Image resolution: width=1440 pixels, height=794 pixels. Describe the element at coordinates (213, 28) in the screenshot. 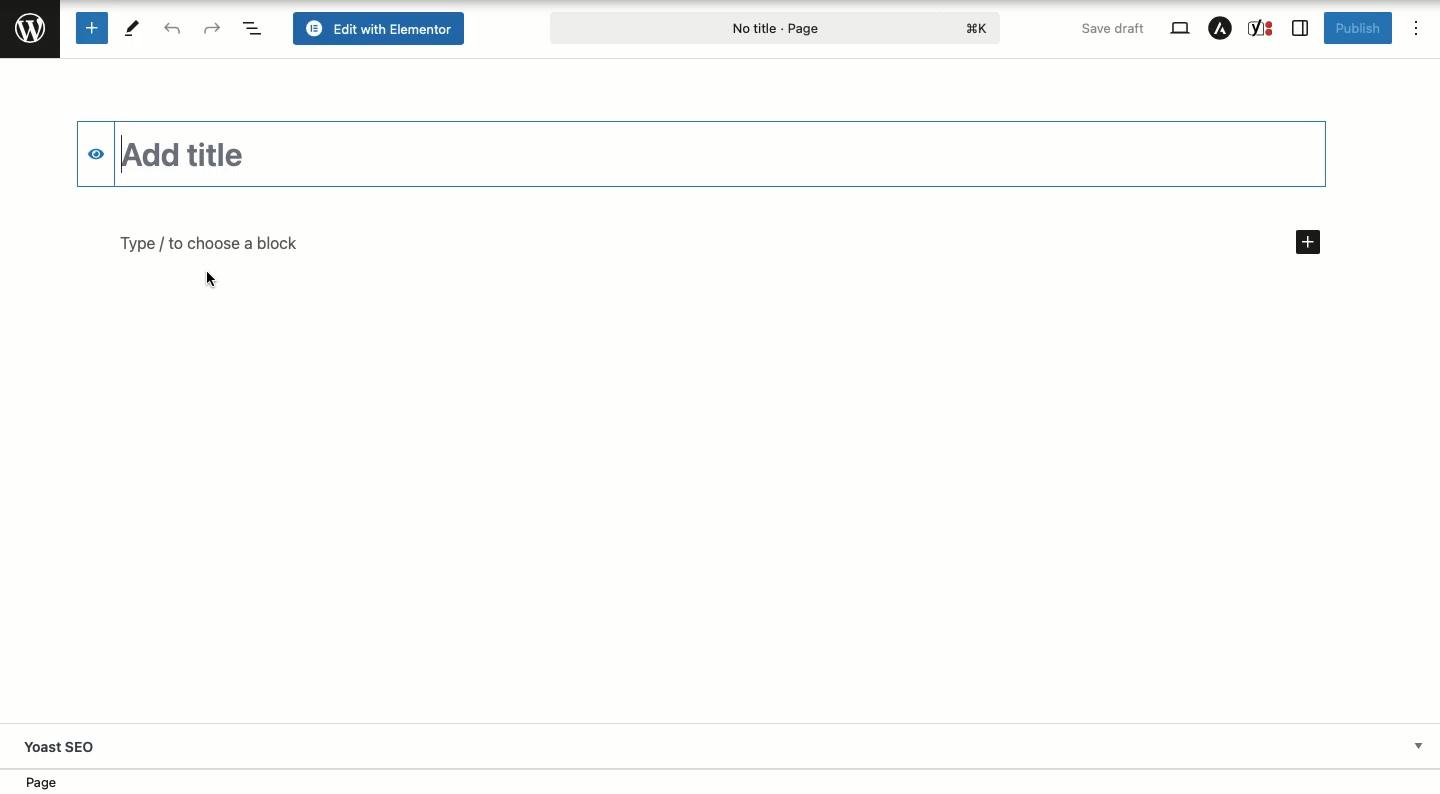

I see `Redo` at that location.